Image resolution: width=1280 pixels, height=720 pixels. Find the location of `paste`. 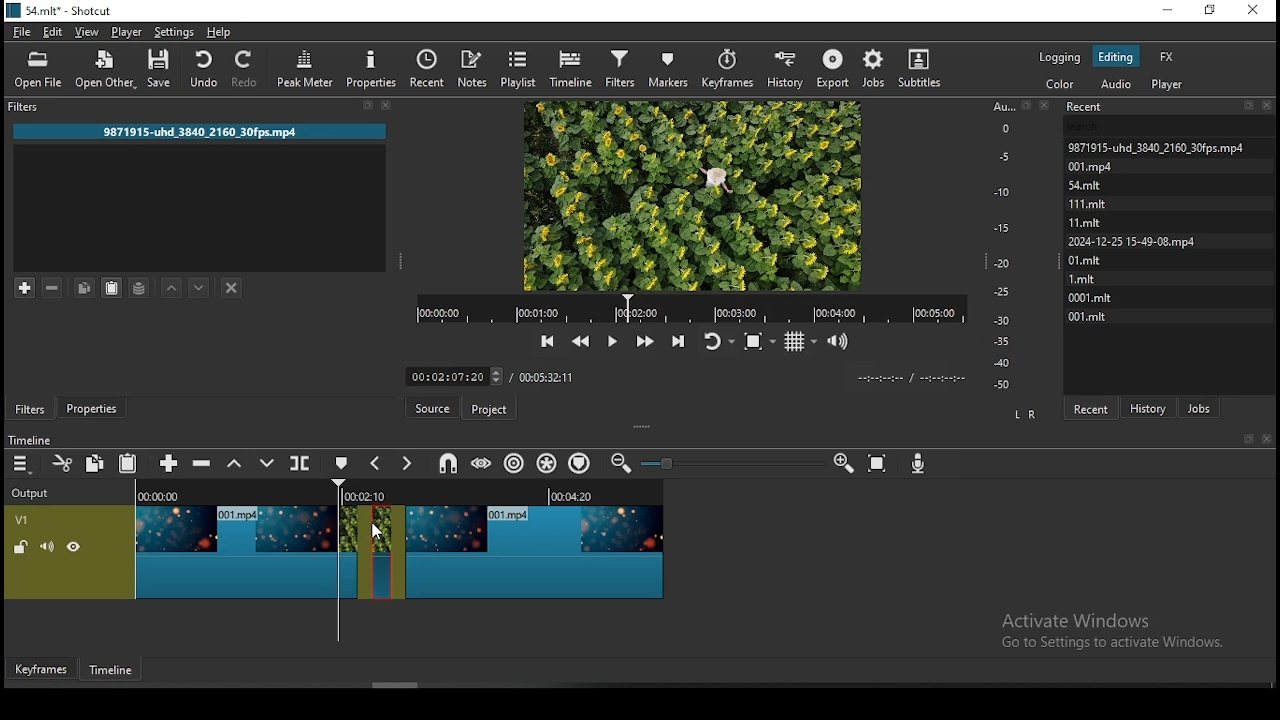

paste is located at coordinates (128, 462).